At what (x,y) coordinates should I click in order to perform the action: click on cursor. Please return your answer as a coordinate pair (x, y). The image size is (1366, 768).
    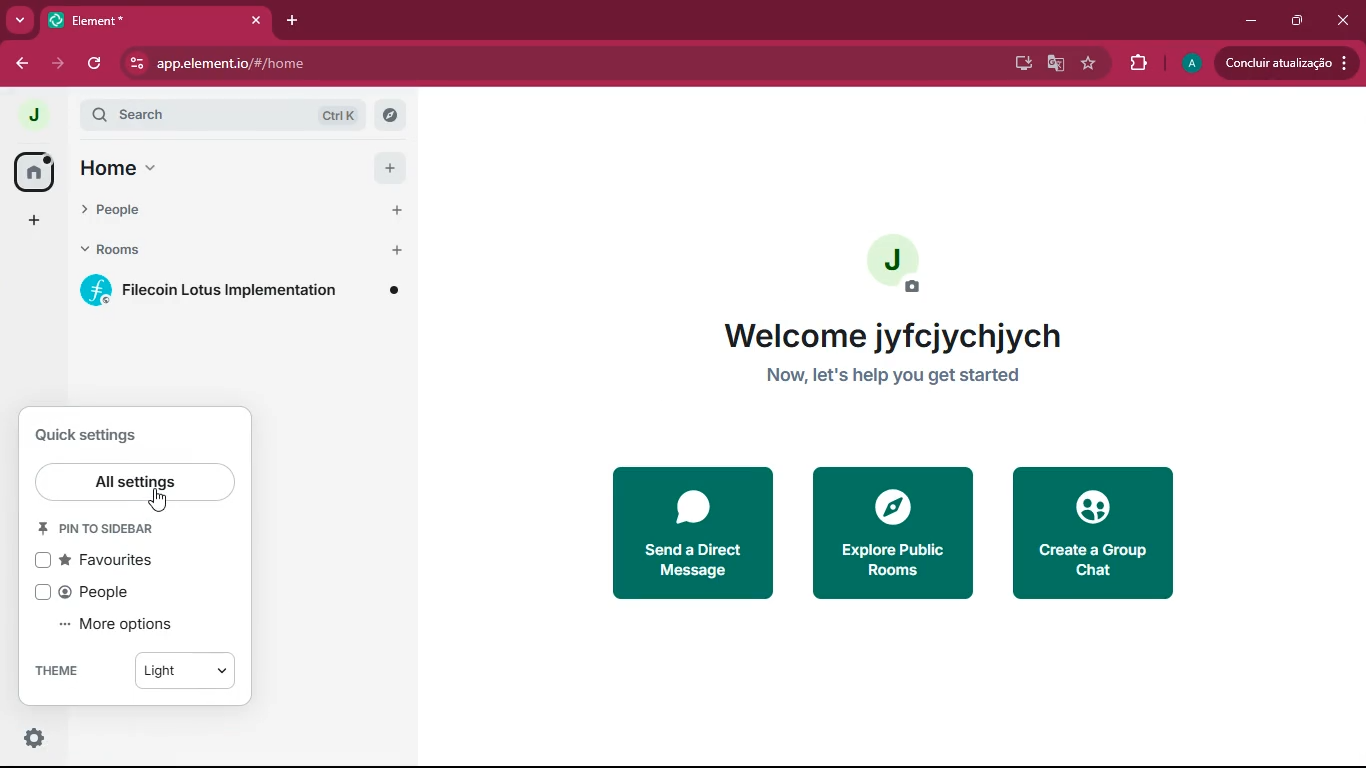
    Looking at the image, I should click on (162, 502).